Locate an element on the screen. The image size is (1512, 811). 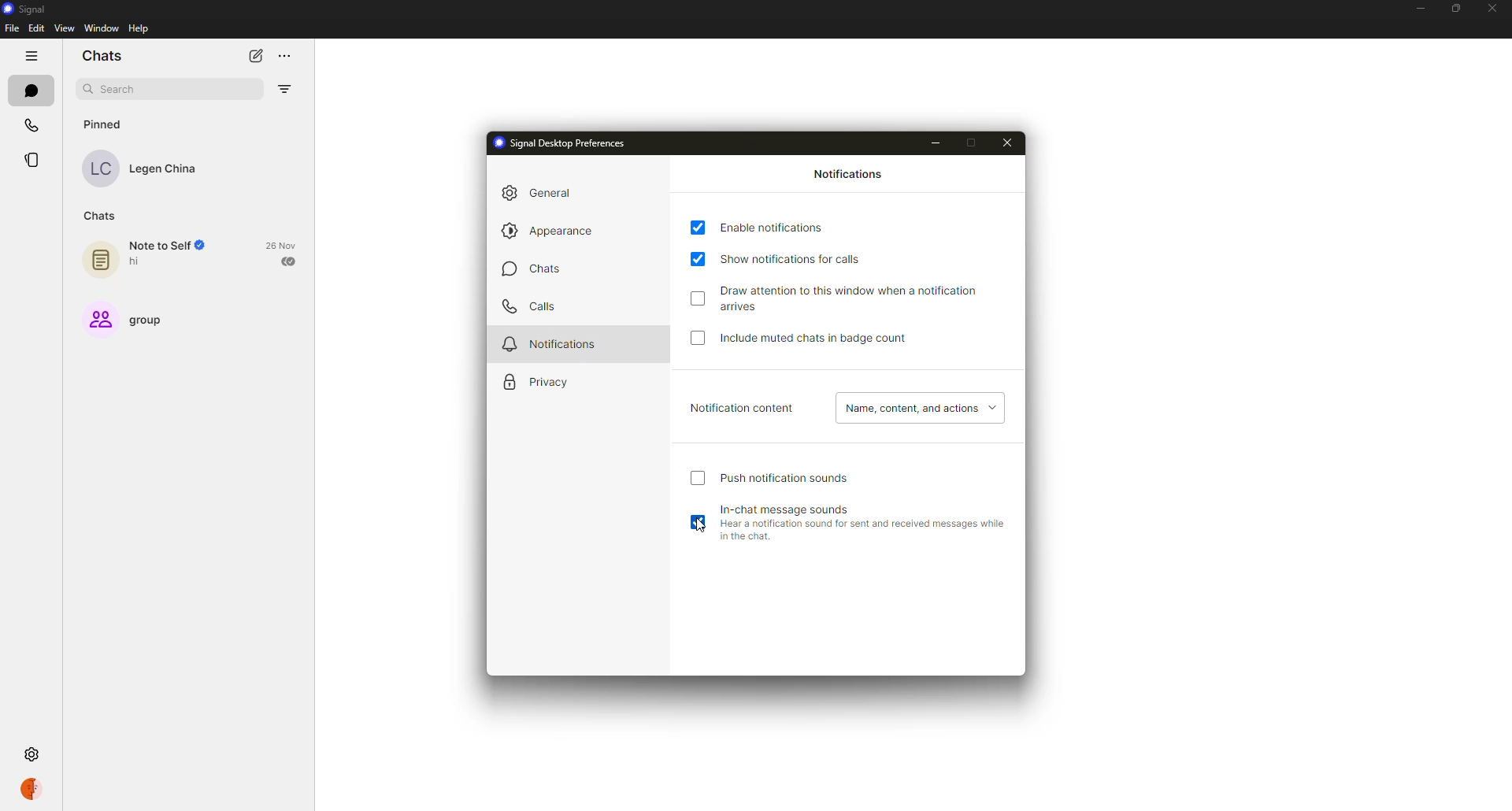
chats is located at coordinates (102, 216).